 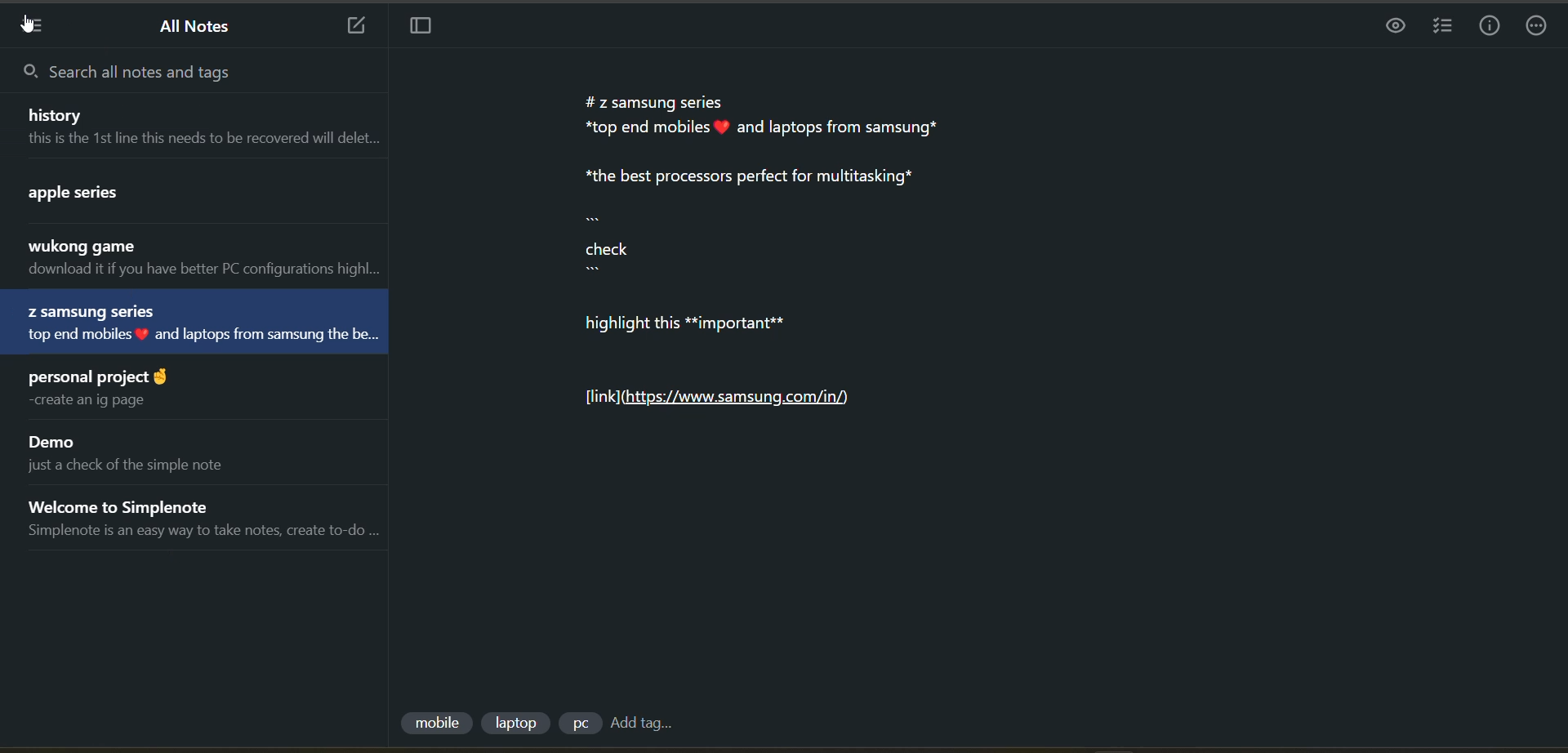 I want to click on toggle focus mode, so click(x=422, y=26).